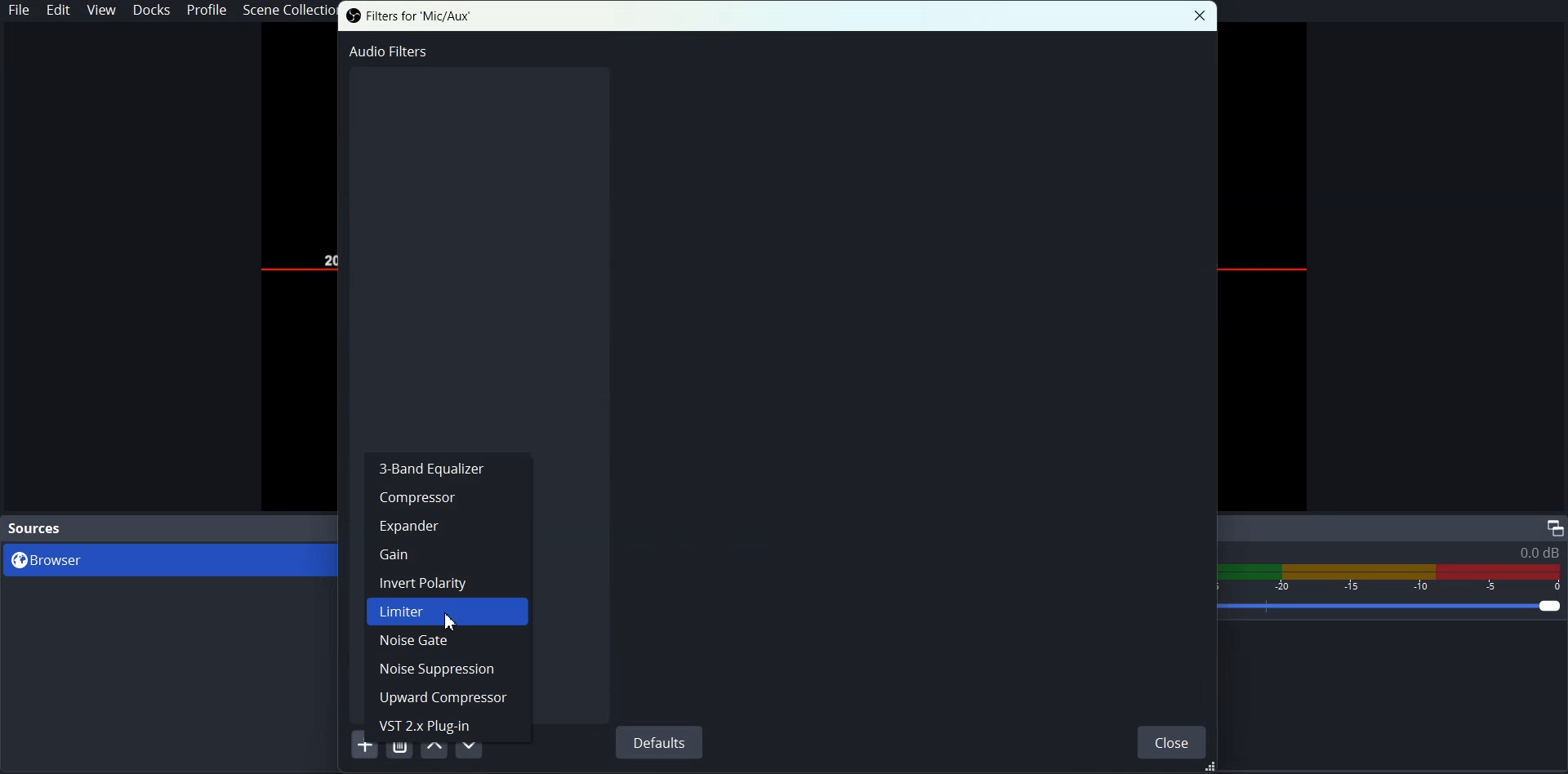  What do you see at coordinates (101, 11) in the screenshot?
I see `View` at bounding box center [101, 11].